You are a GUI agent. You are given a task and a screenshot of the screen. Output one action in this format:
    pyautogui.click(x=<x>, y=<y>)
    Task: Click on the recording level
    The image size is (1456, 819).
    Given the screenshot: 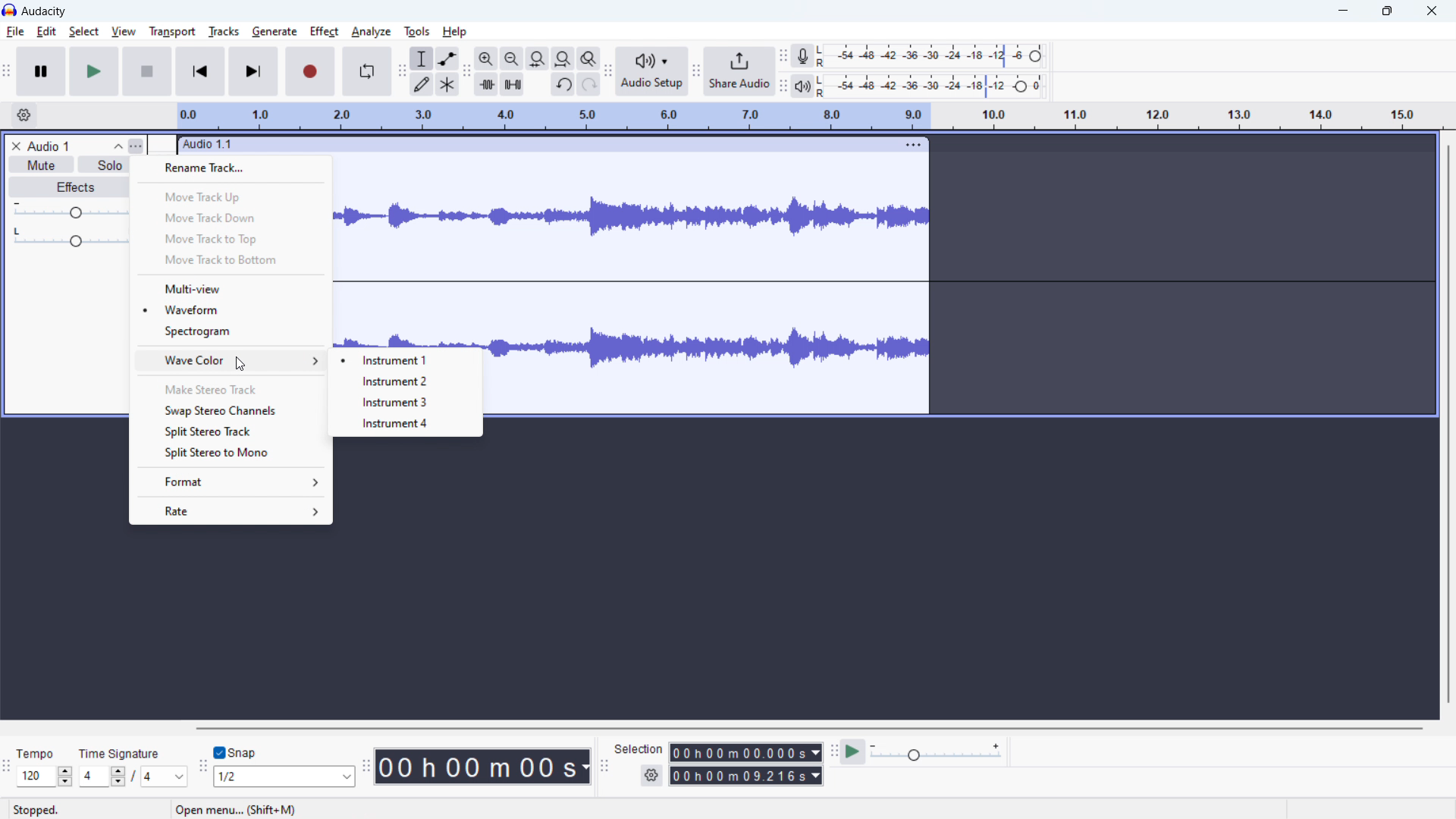 What is the action you would take?
    pyautogui.click(x=930, y=57)
    